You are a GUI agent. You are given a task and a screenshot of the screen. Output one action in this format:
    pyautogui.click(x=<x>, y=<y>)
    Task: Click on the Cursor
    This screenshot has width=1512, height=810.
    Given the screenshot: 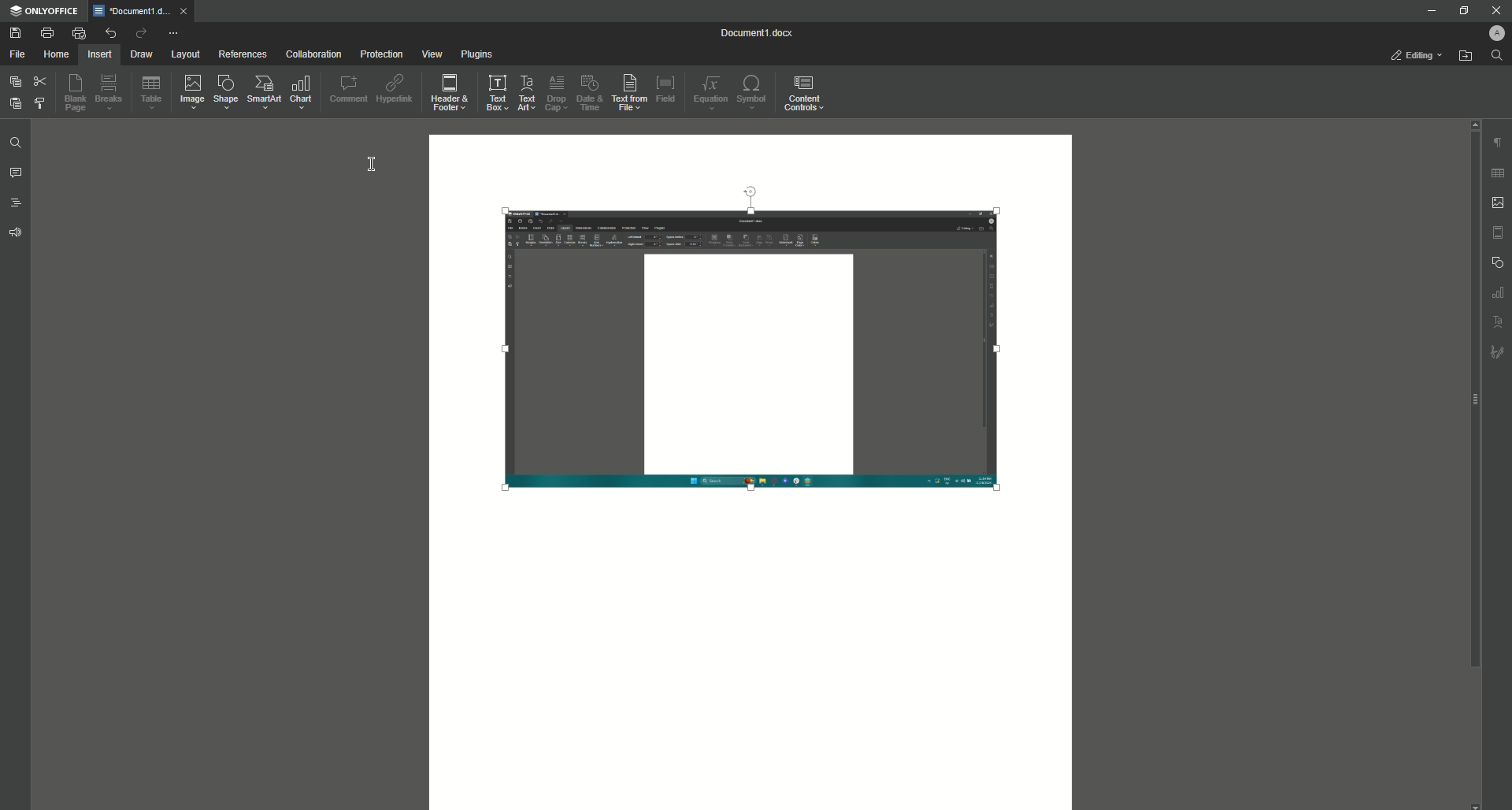 What is the action you would take?
    pyautogui.click(x=369, y=164)
    